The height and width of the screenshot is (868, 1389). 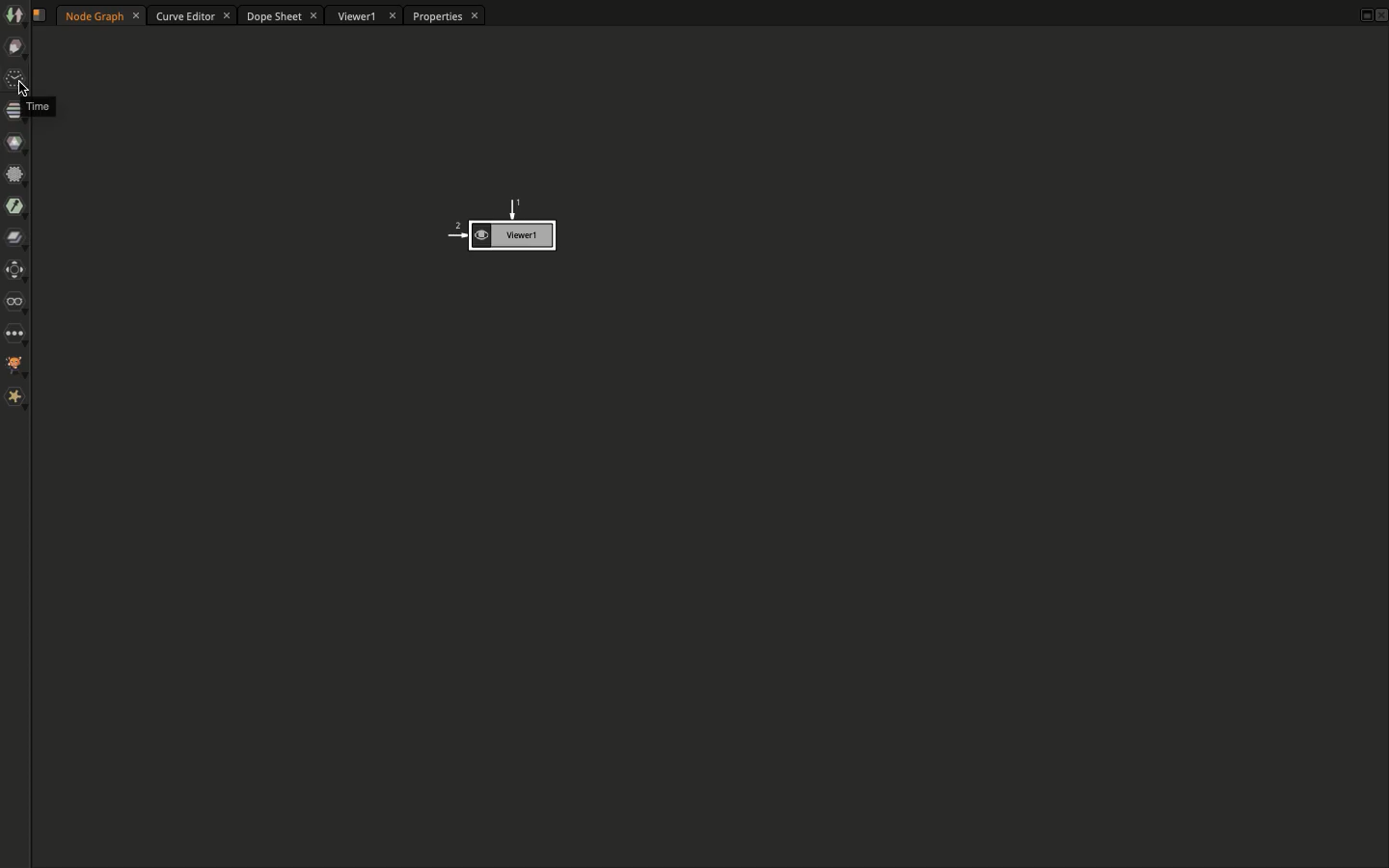 What do you see at coordinates (38, 105) in the screenshot?
I see `Time` at bounding box center [38, 105].